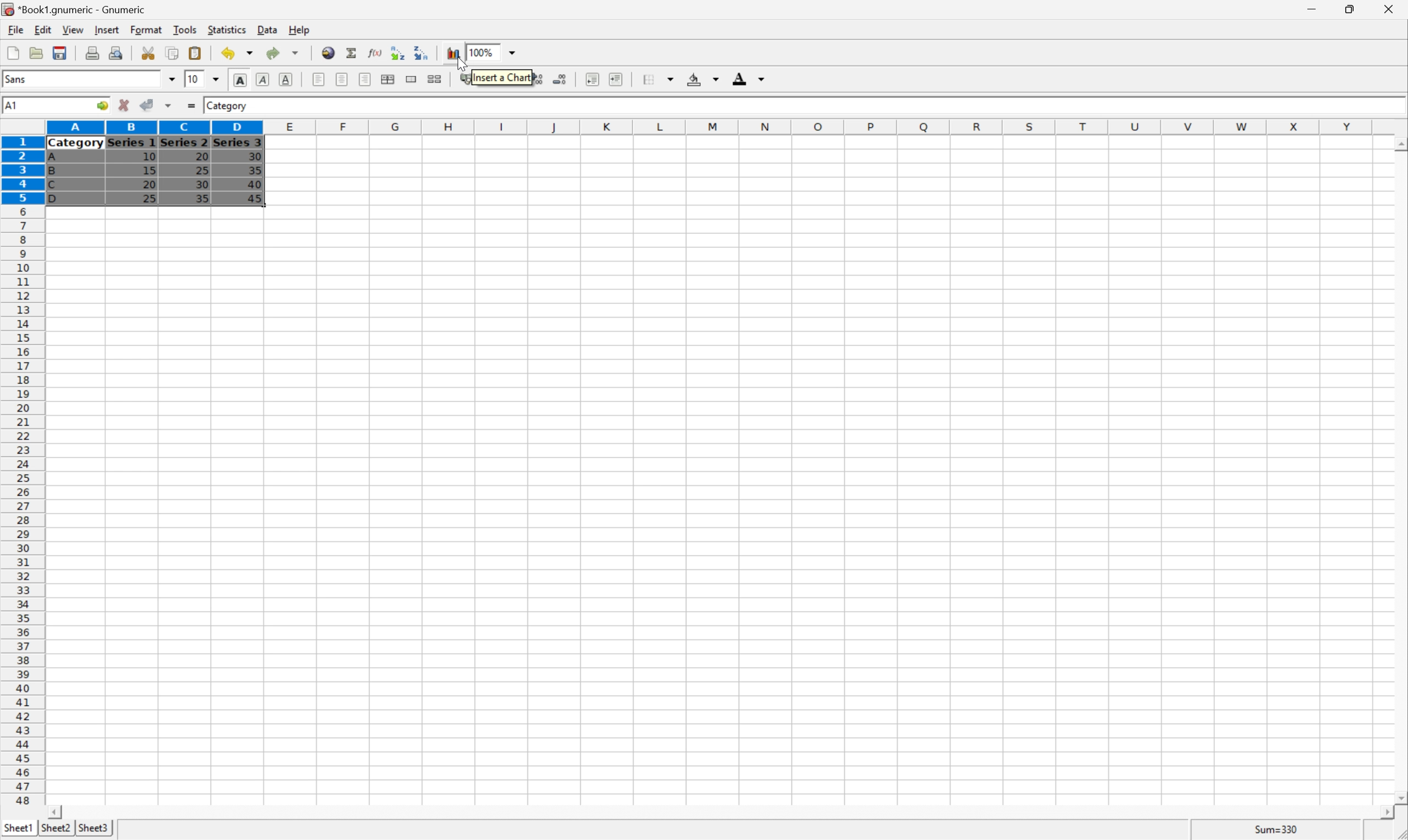 The image size is (1408, 840). I want to click on File, so click(16, 29).